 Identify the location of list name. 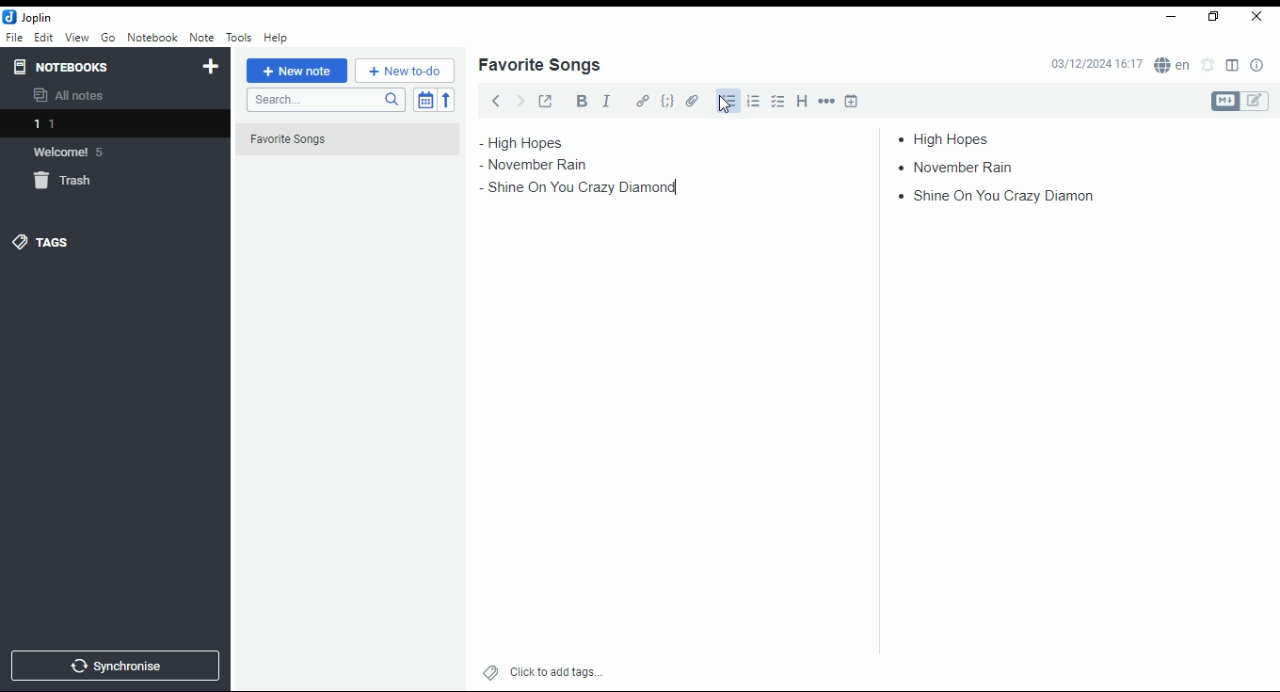
(539, 66).